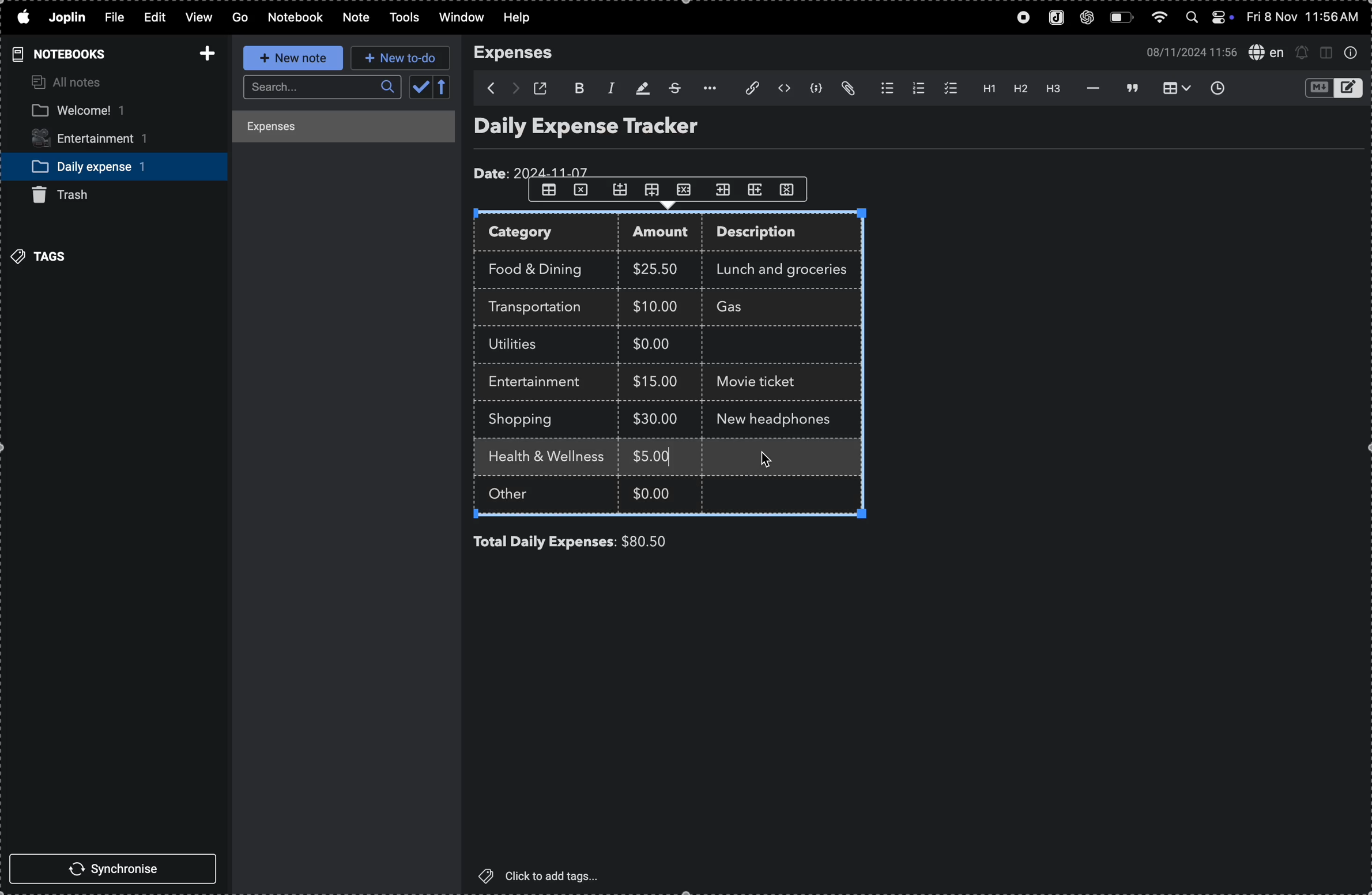  What do you see at coordinates (665, 234) in the screenshot?
I see `amount` at bounding box center [665, 234].